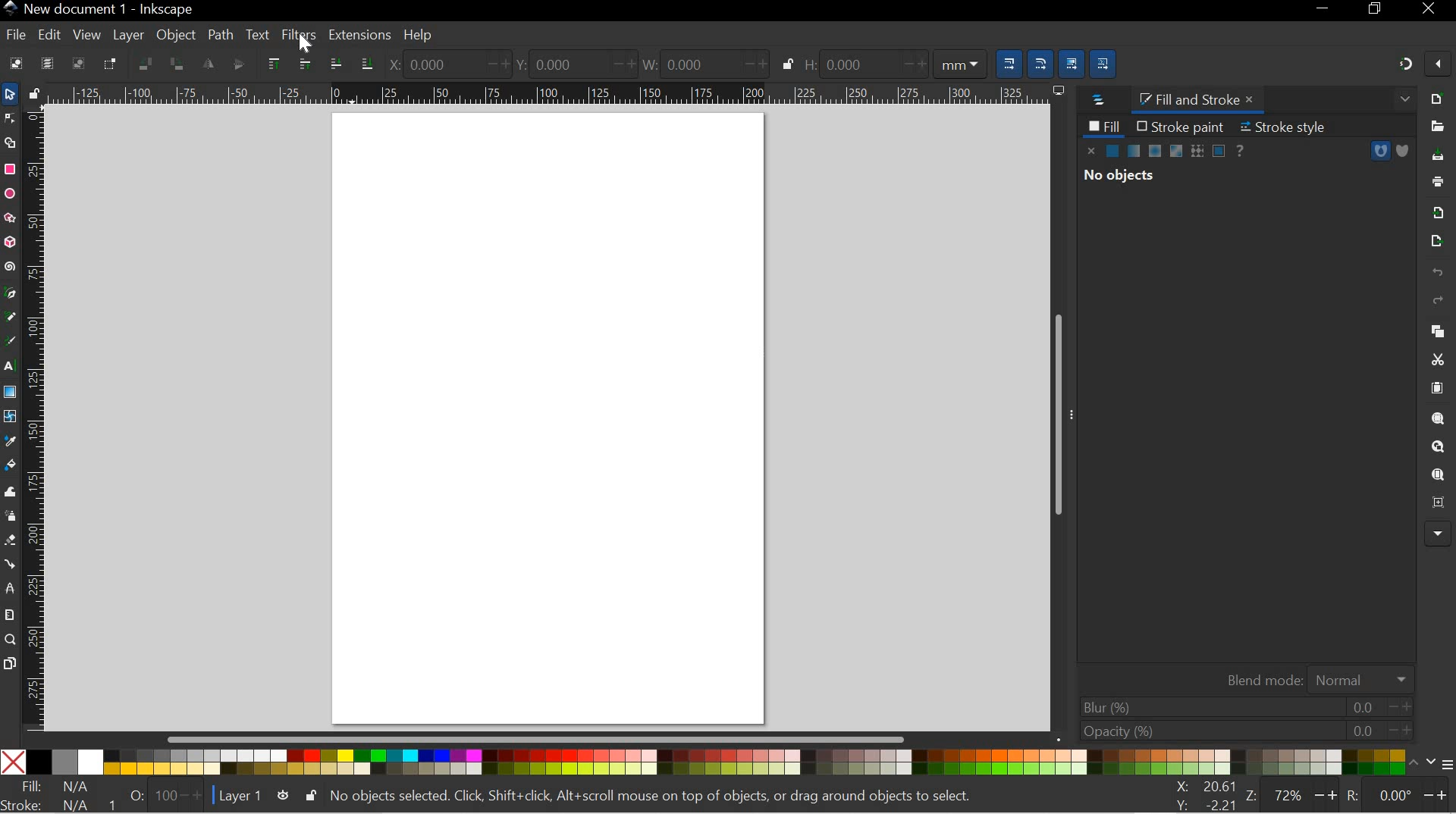 This screenshot has height=814, width=1456. Describe the element at coordinates (306, 46) in the screenshot. I see `Cursor` at that location.